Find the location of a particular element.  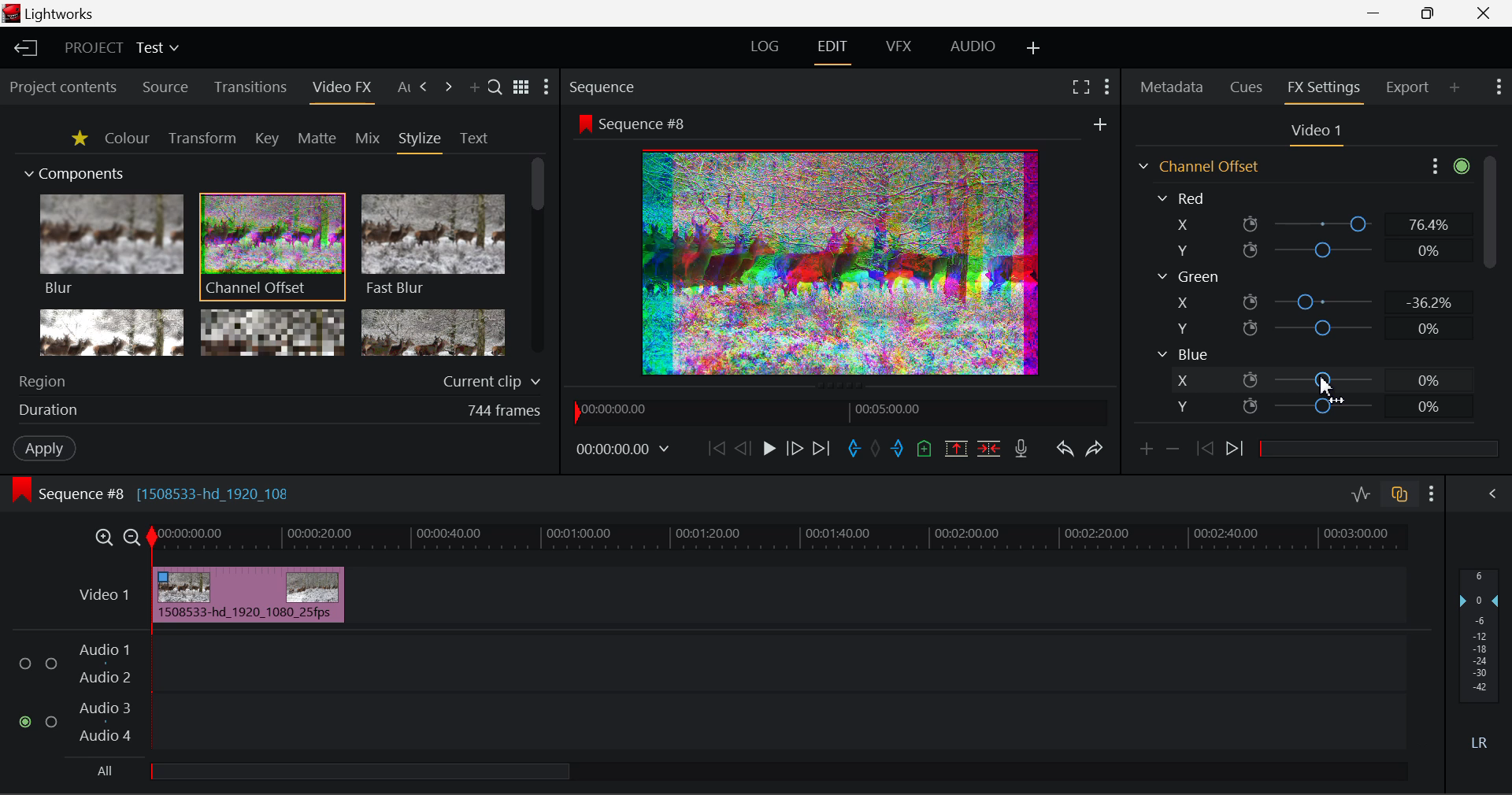

Audio Input Field is located at coordinates (708, 694).